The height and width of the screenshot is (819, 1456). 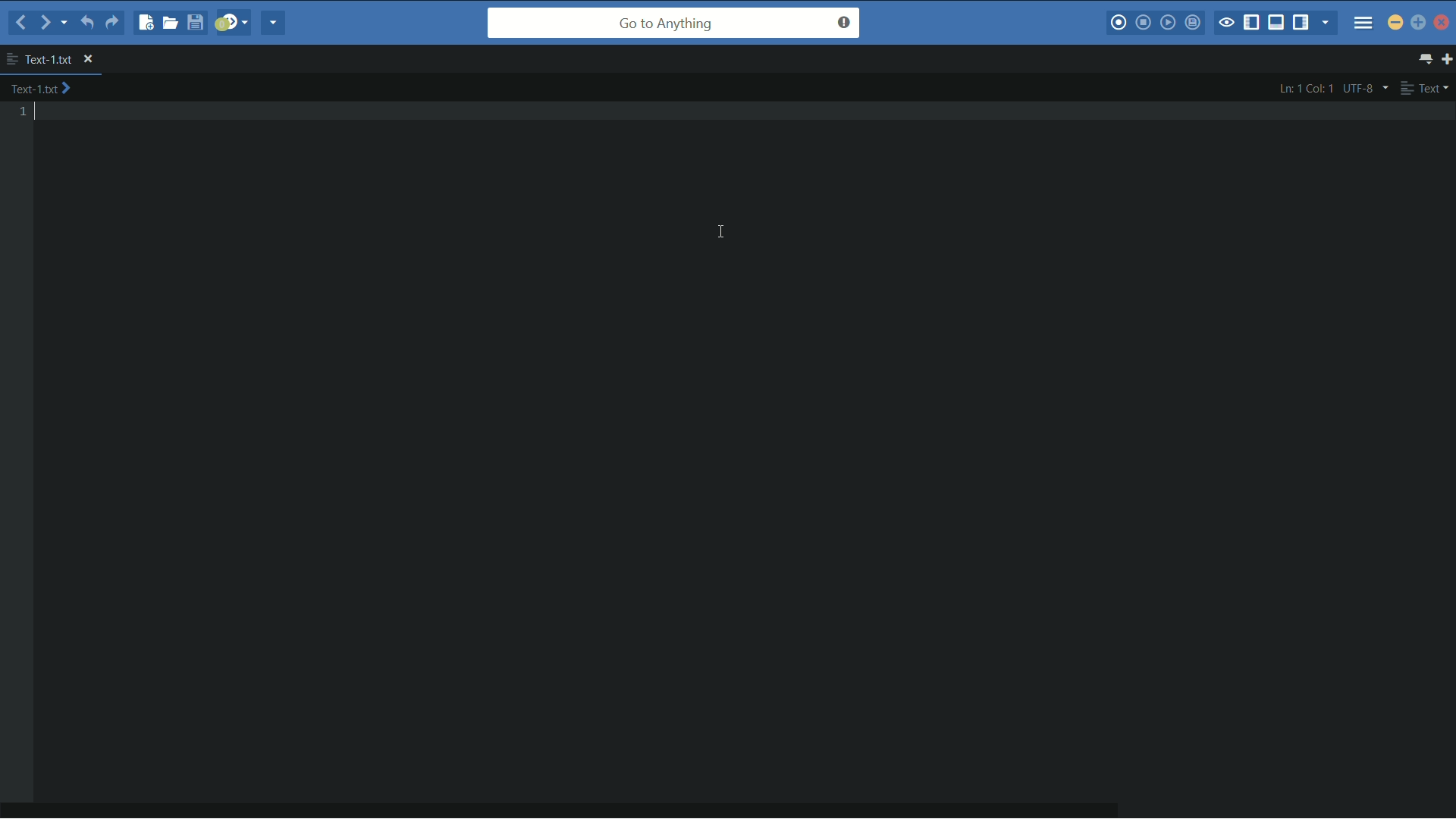 I want to click on share current file, so click(x=275, y=24).